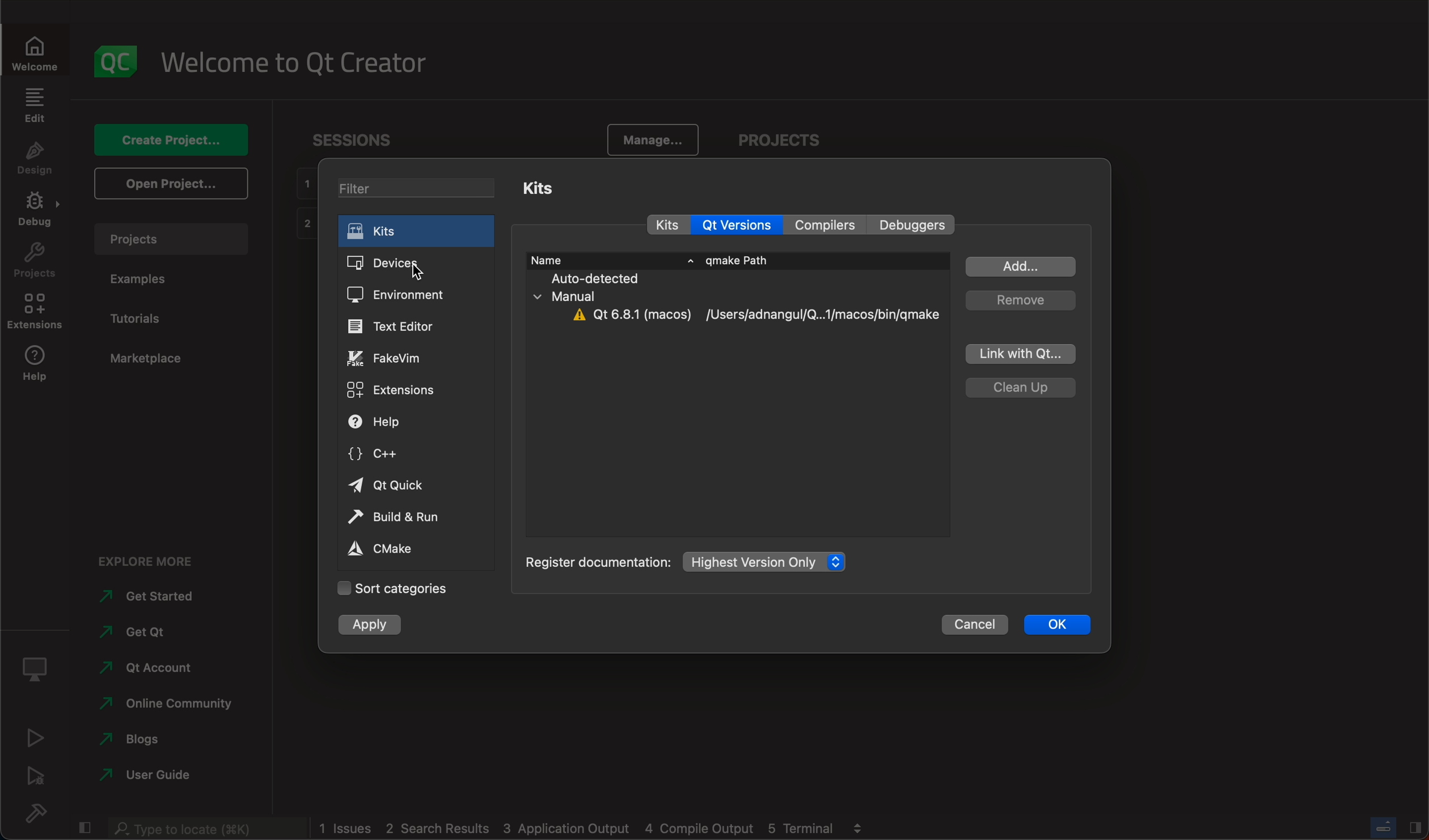  Describe the element at coordinates (978, 624) in the screenshot. I see `cancel` at that location.